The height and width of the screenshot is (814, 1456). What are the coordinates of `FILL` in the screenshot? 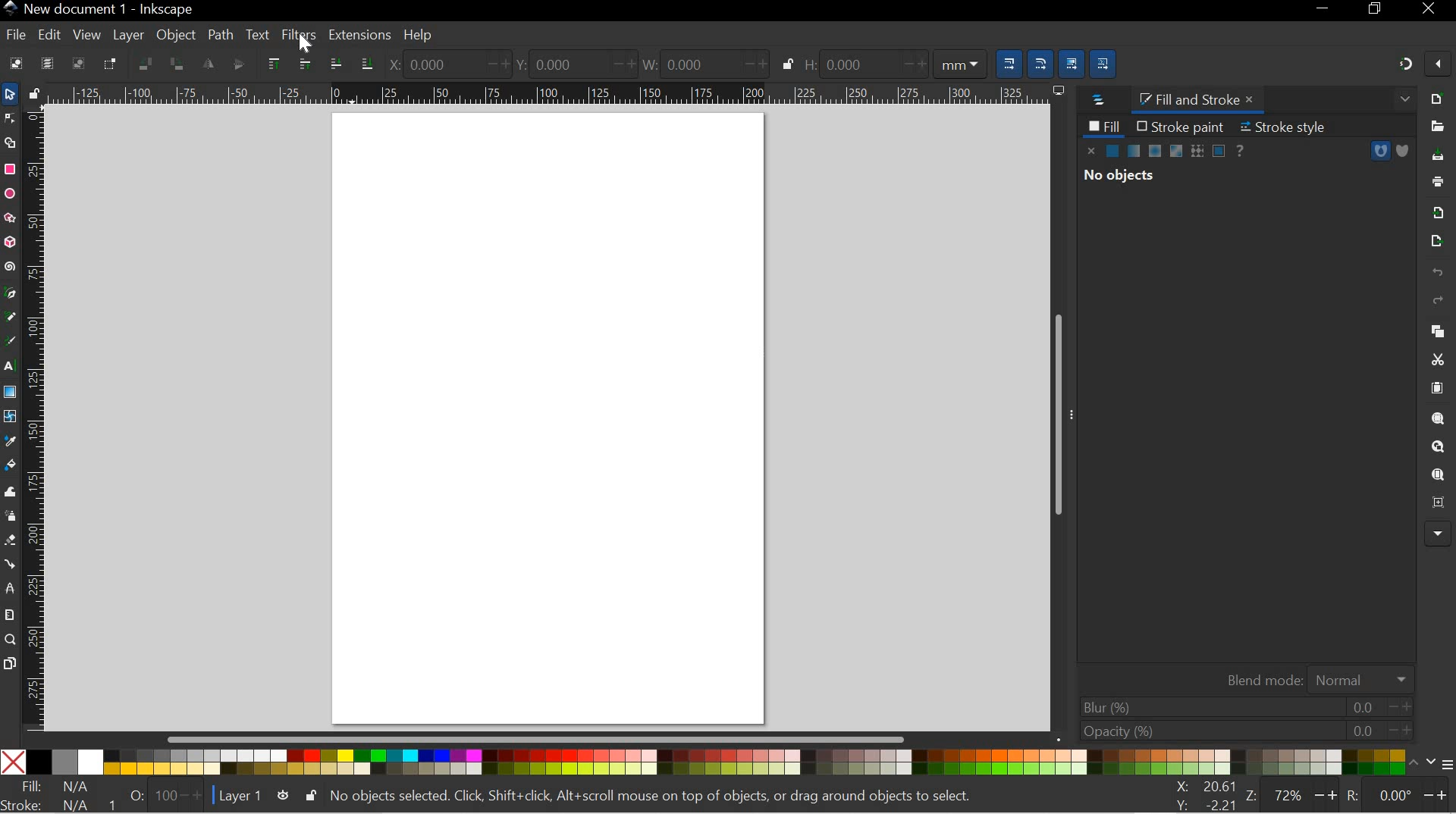 It's located at (1104, 126).